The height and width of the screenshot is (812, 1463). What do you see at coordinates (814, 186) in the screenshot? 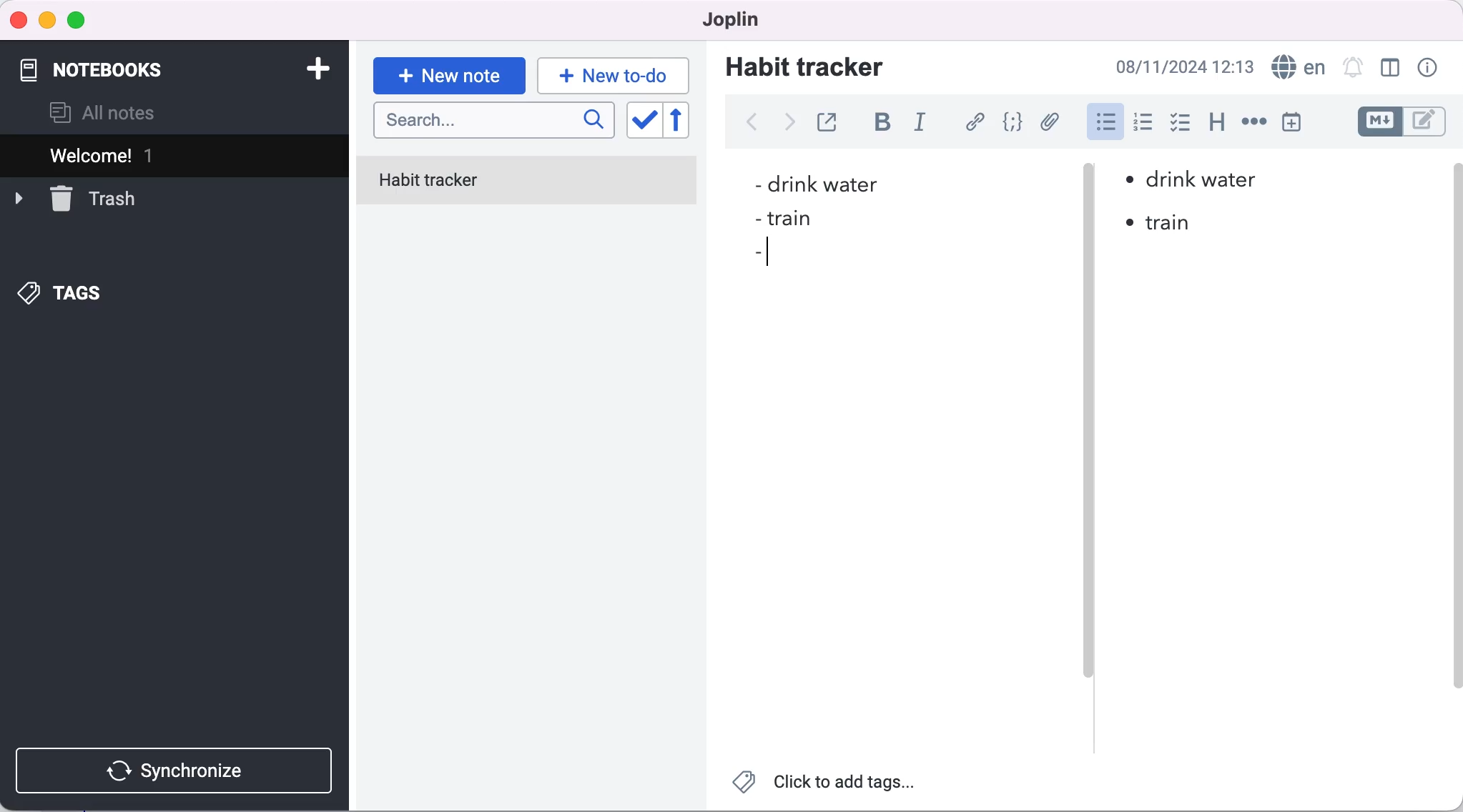
I see `- drink water` at bounding box center [814, 186].